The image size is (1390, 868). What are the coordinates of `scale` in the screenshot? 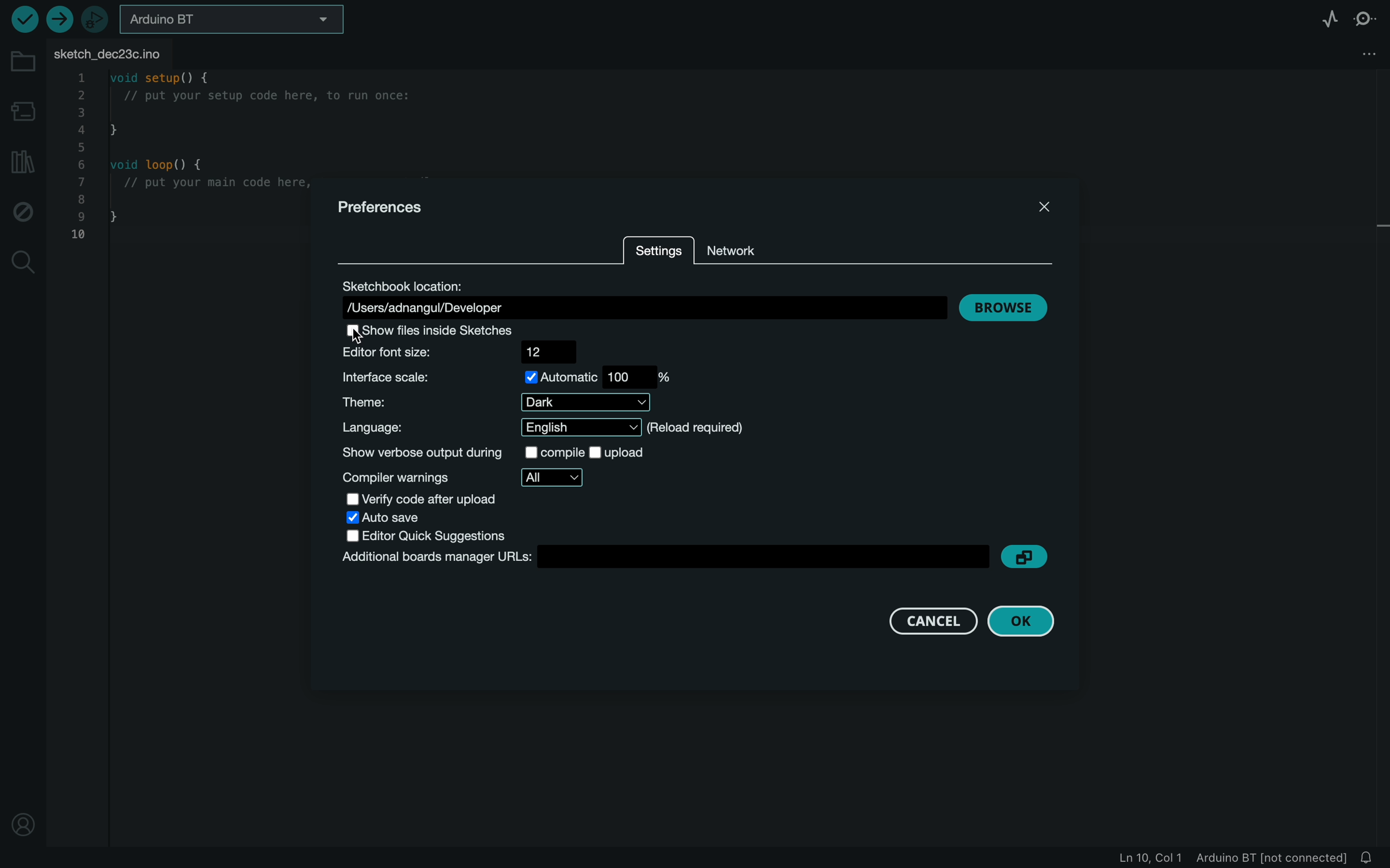 It's located at (510, 377).